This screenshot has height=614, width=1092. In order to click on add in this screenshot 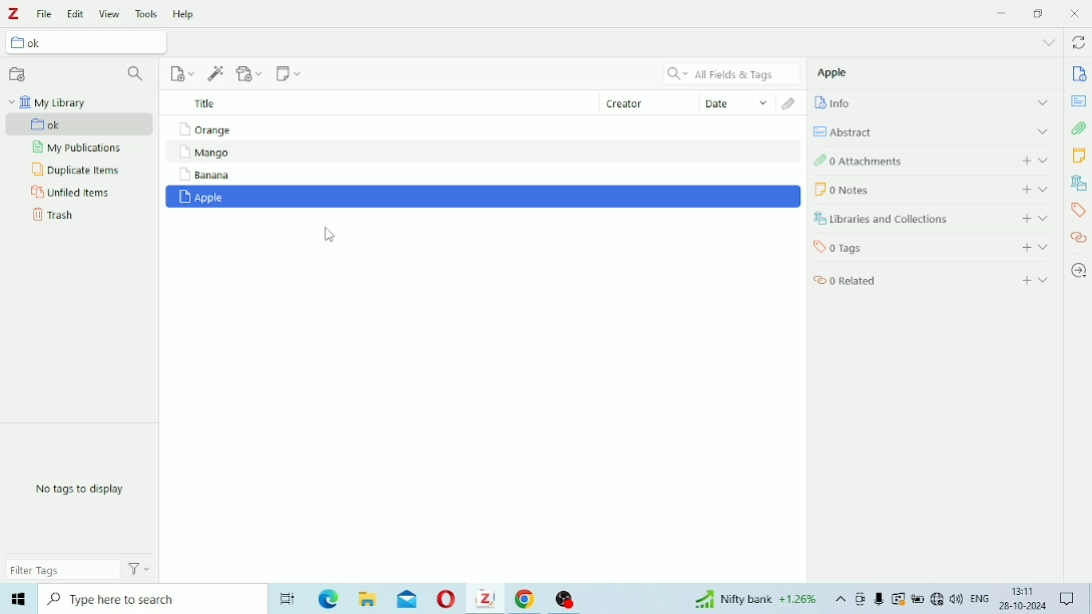, I will do `click(1024, 247)`.